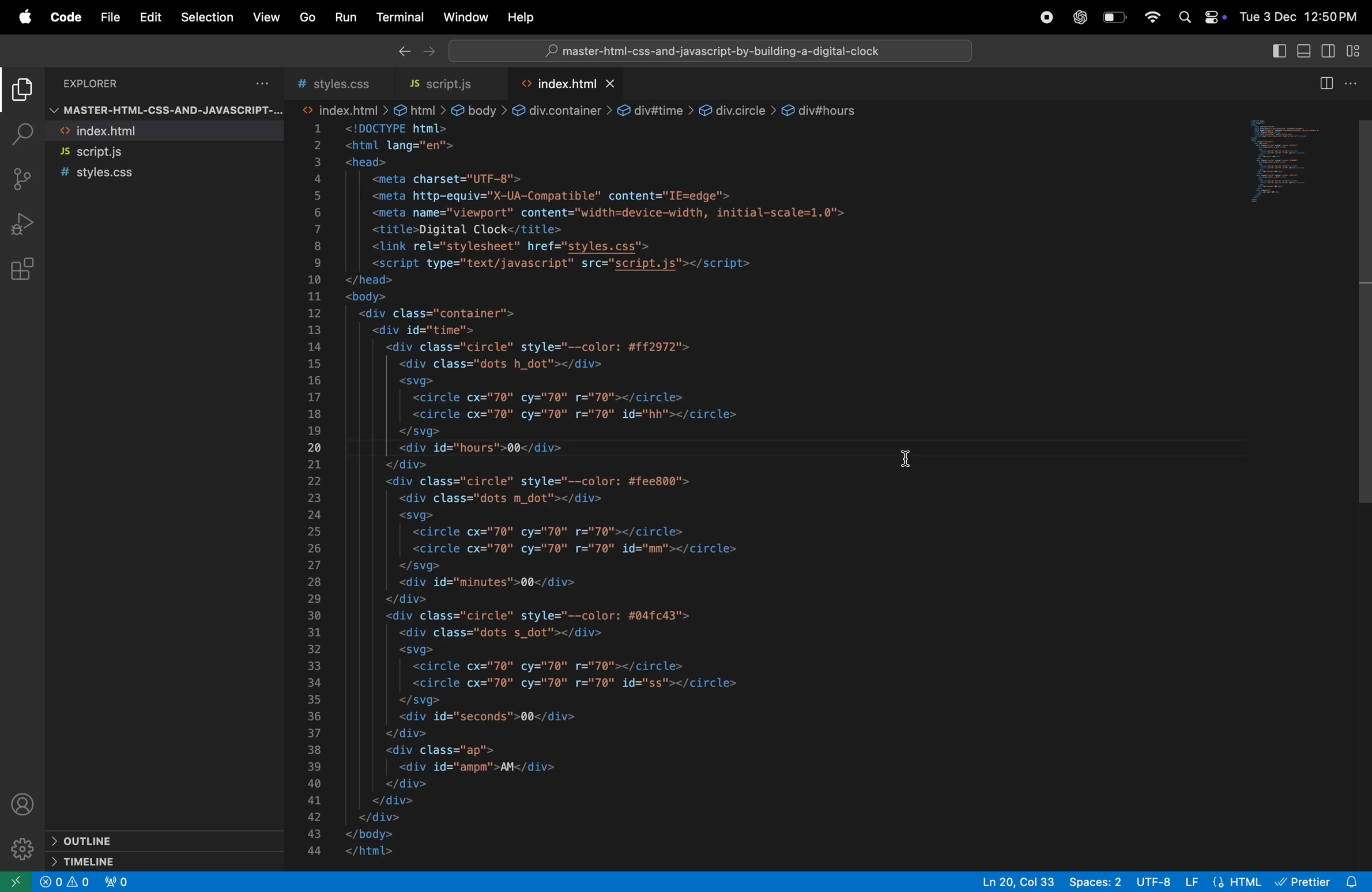 Image resolution: width=1372 pixels, height=892 pixels. I want to click on cursor, so click(910, 458).